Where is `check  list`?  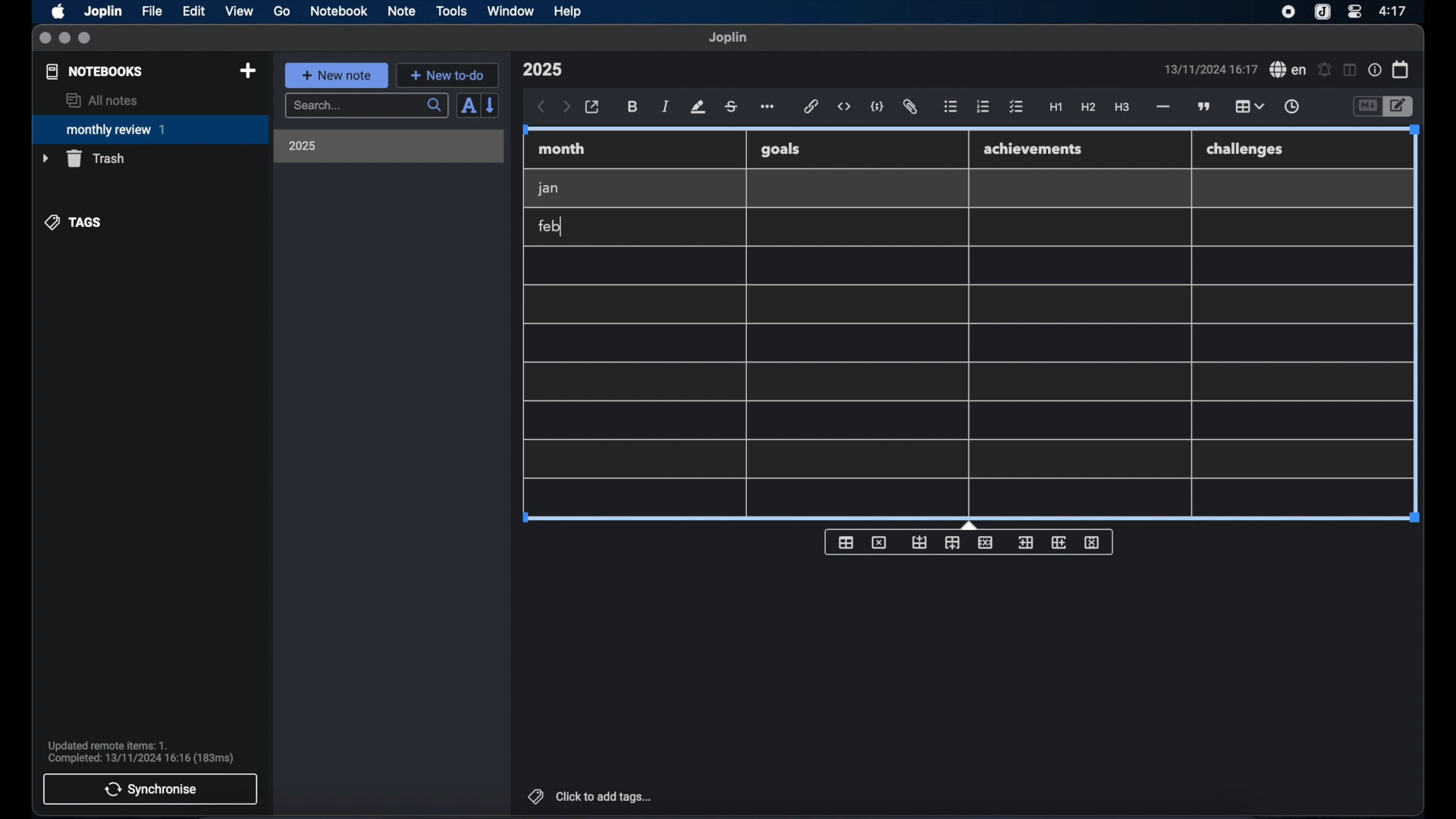
check  list is located at coordinates (1016, 108).